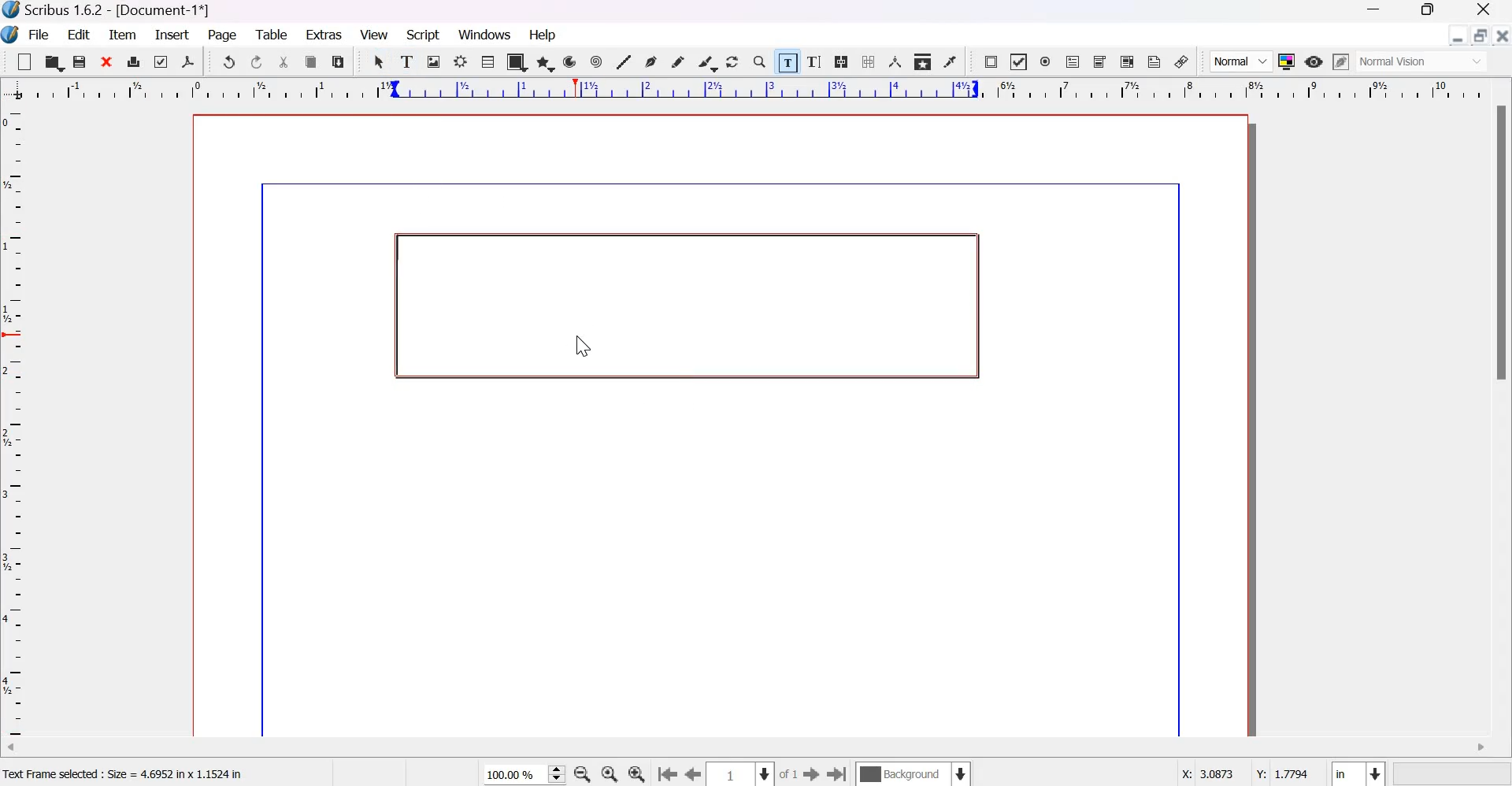  What do you see at coordinates (1341, 61) in the screenshot?
I see `edit in preview mode` at bounding box center [1341, 61].